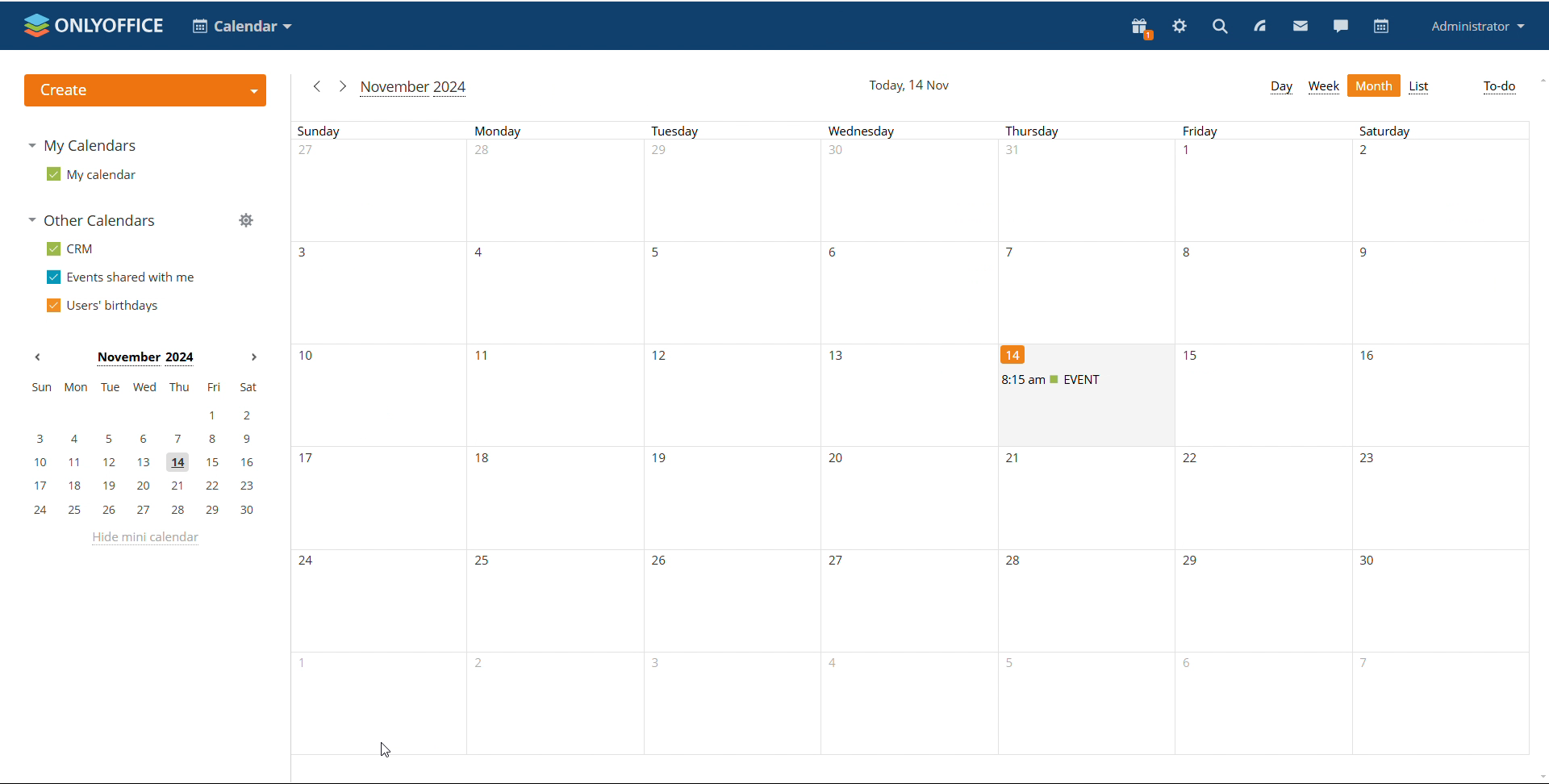 The height and width of the screenshot is (784, 1549). I want to click on next month, so click(341, 85).